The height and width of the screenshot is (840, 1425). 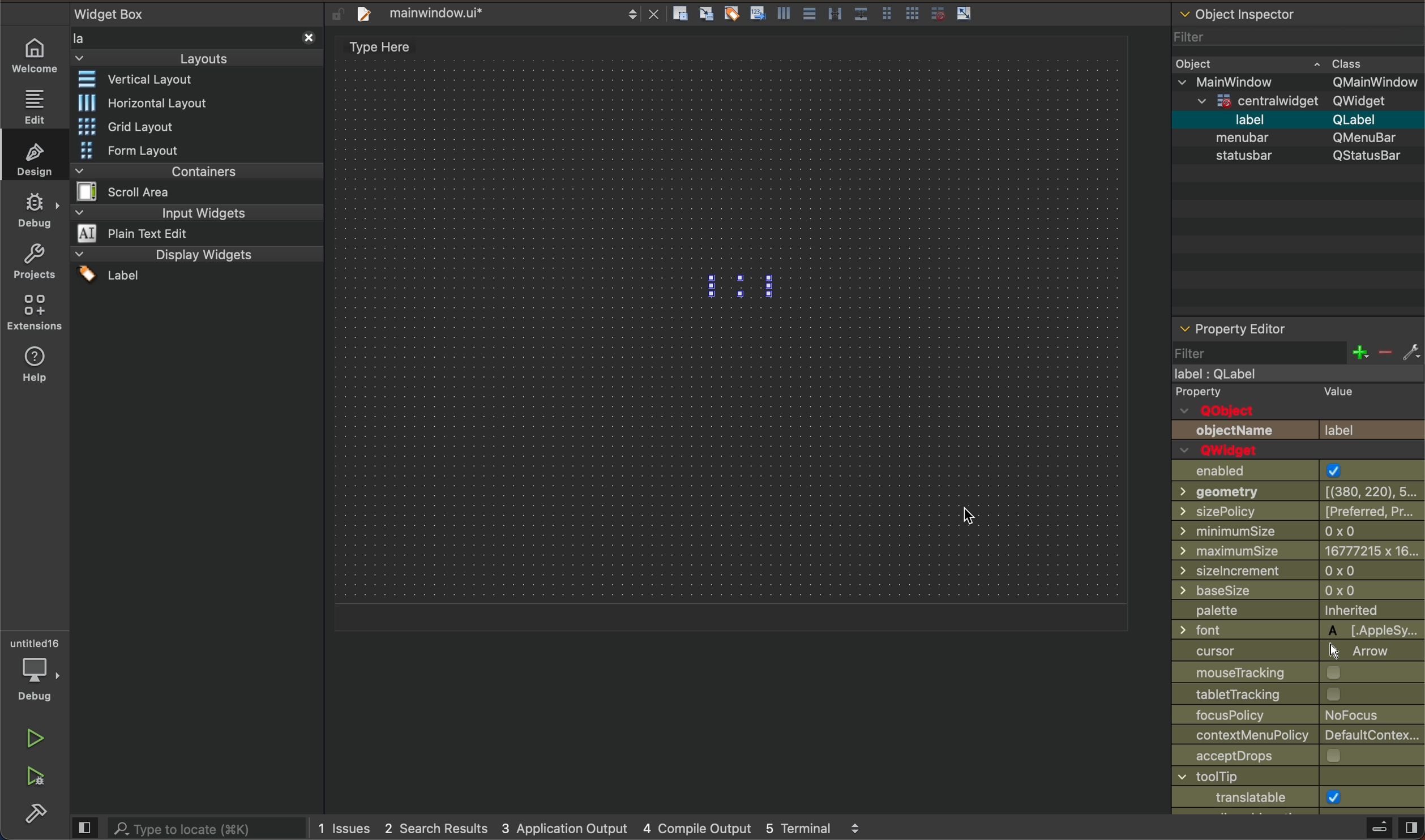 What do you see at coordinates (1295, 12) in the screenshot?
I see `object inspector` at bounding box center [1295, 12].